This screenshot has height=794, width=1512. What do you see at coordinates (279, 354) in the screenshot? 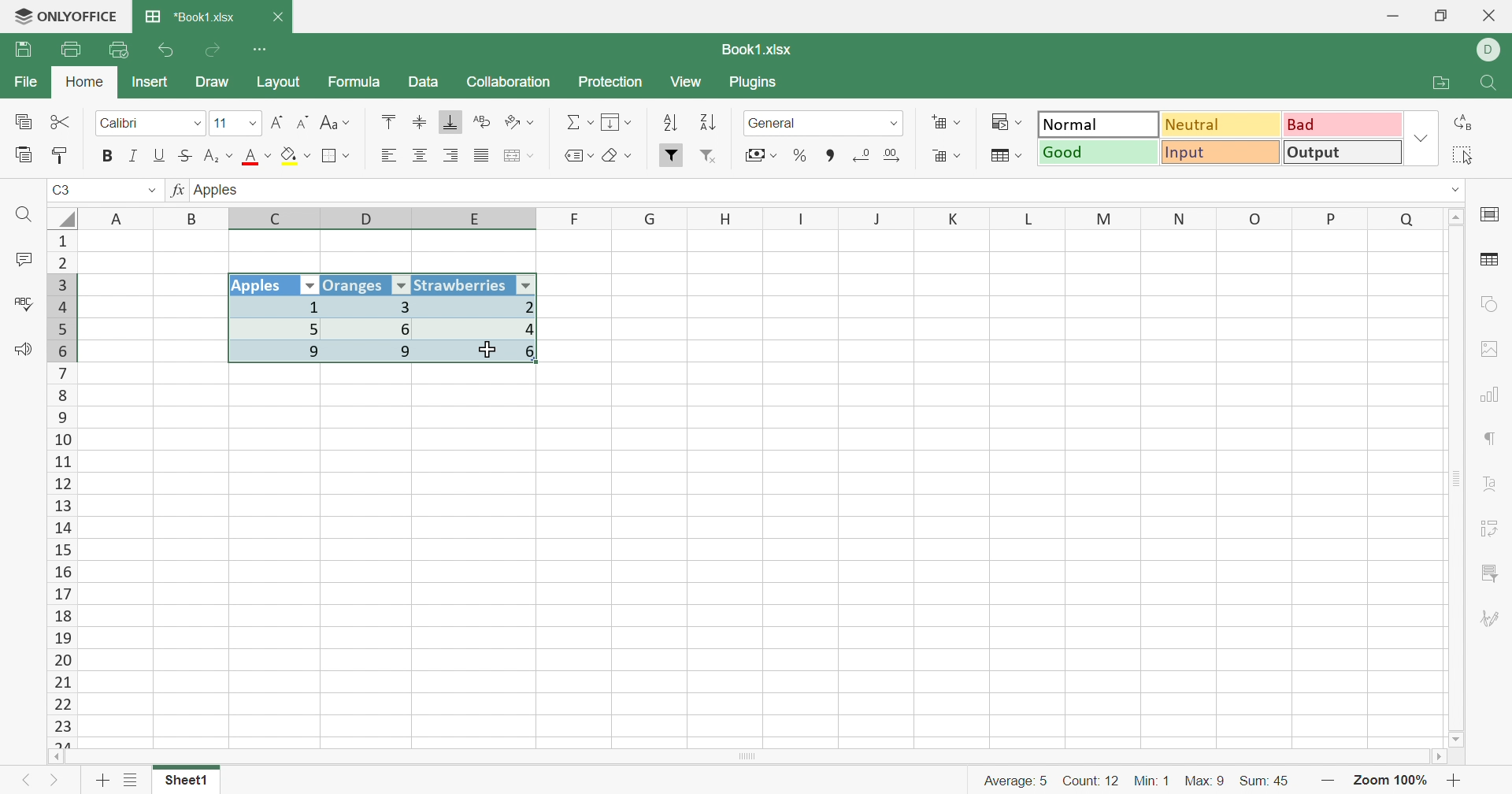
I see `9` at bounding box center [279, 354].